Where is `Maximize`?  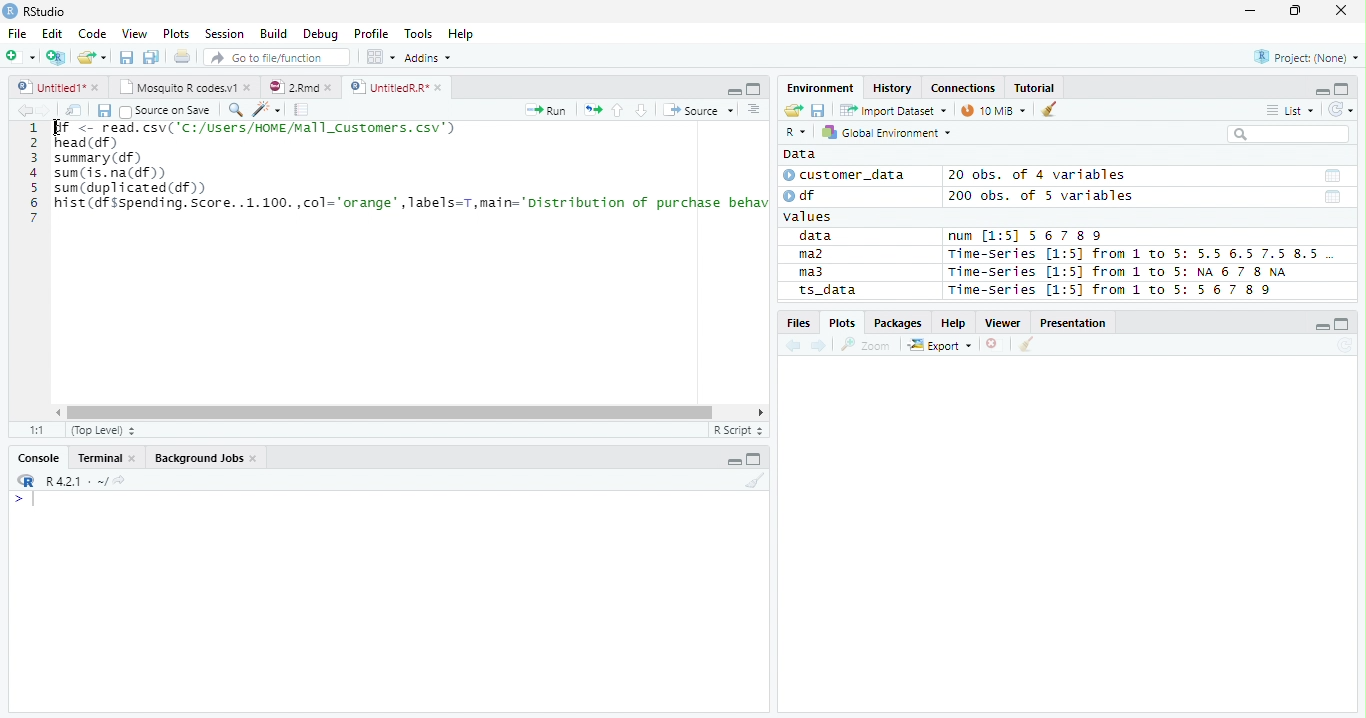
Maximize is located at coordinates (1344, 324).